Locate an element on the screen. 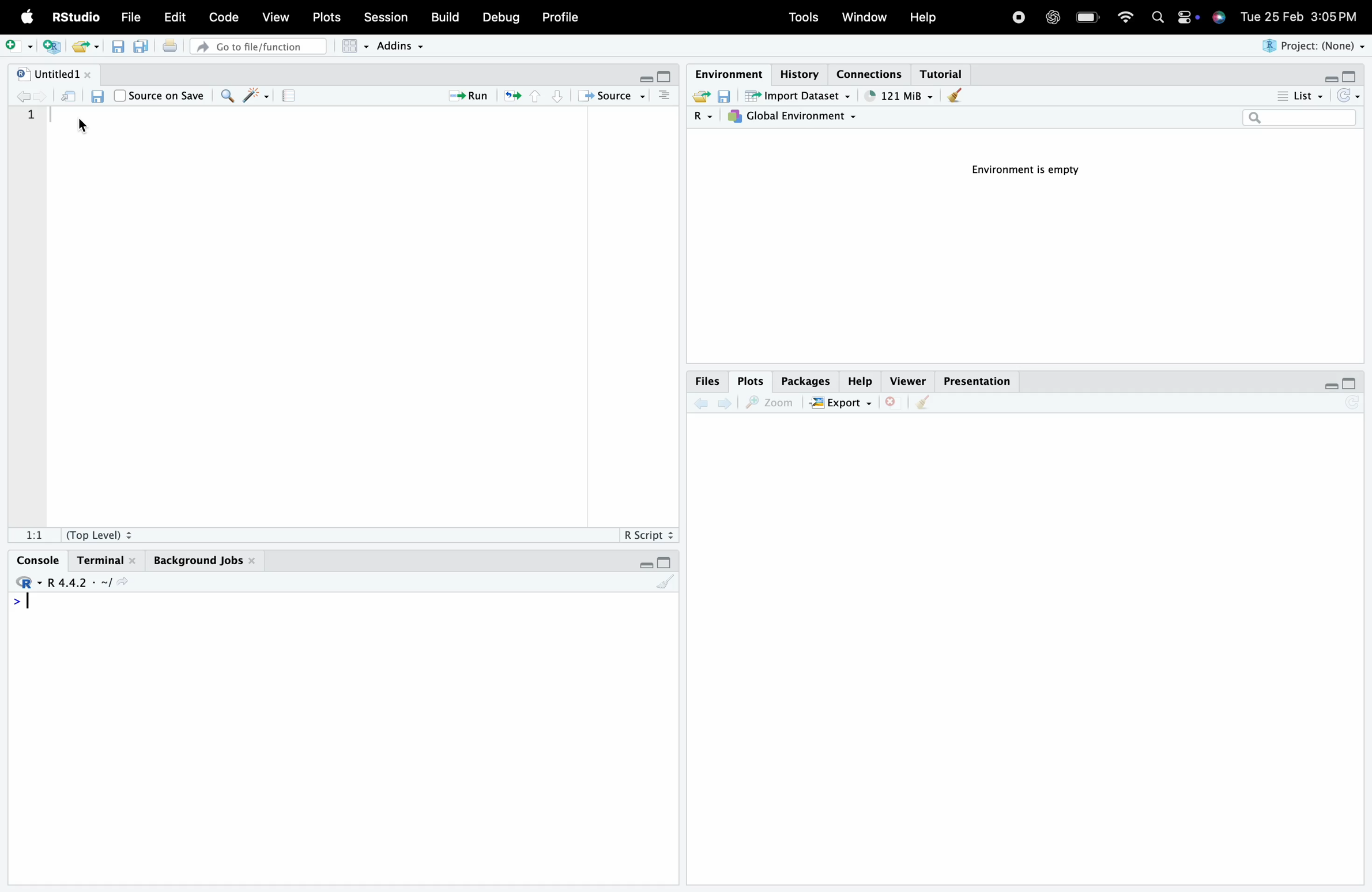  Profile is located at coordinates (560, 18).